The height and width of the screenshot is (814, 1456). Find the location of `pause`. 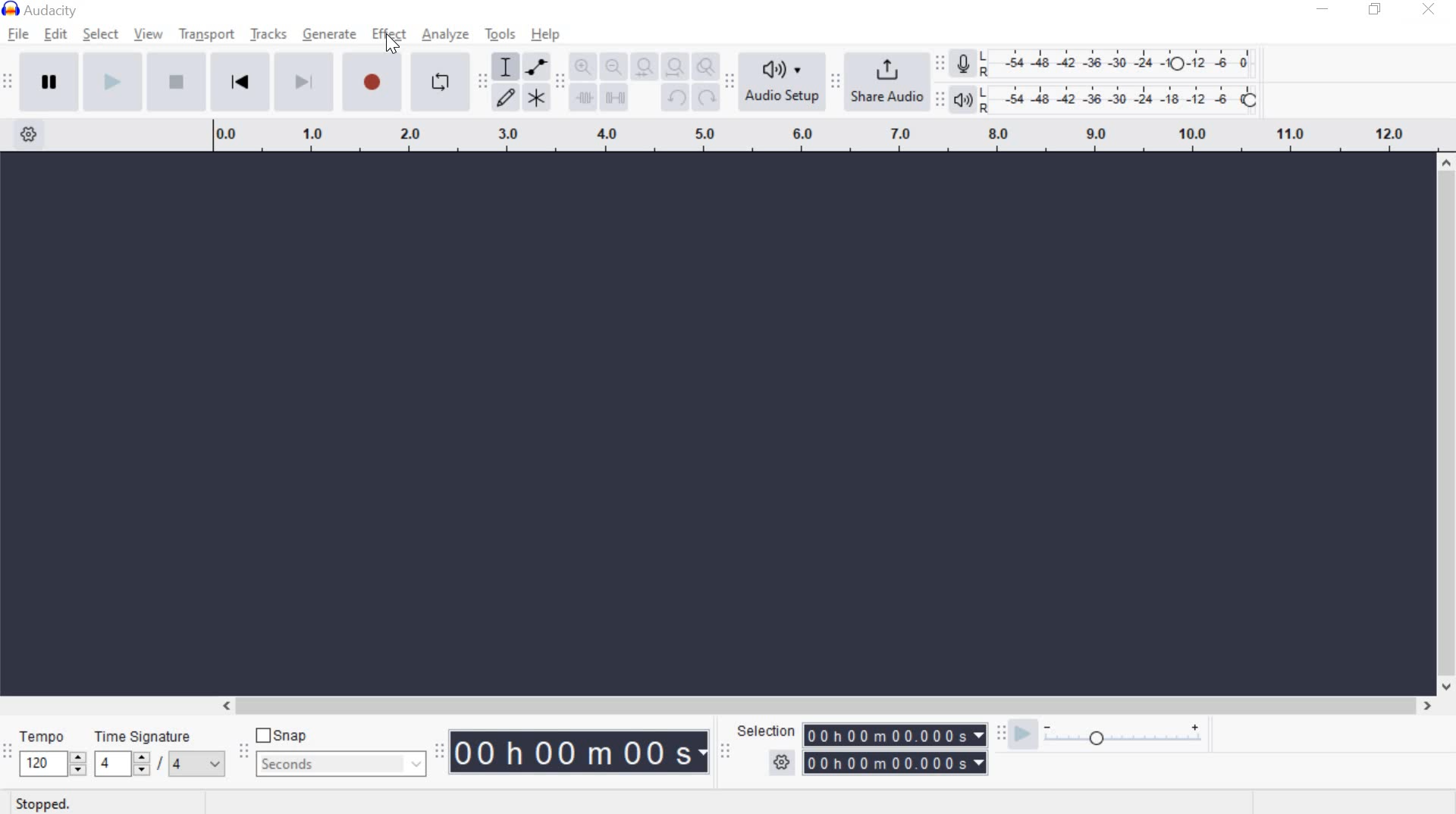

pause is located at coordinates (51, 84).